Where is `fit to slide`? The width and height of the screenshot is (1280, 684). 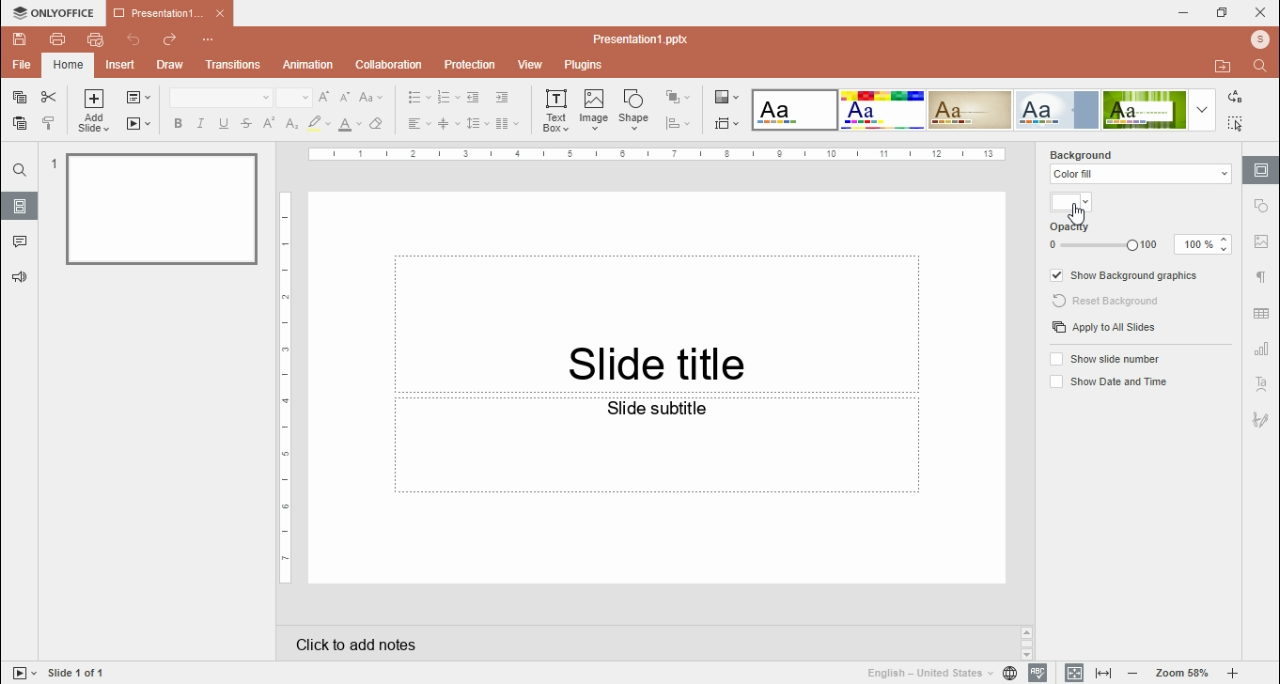
fit to slide is located at coordinates (1103, 674).